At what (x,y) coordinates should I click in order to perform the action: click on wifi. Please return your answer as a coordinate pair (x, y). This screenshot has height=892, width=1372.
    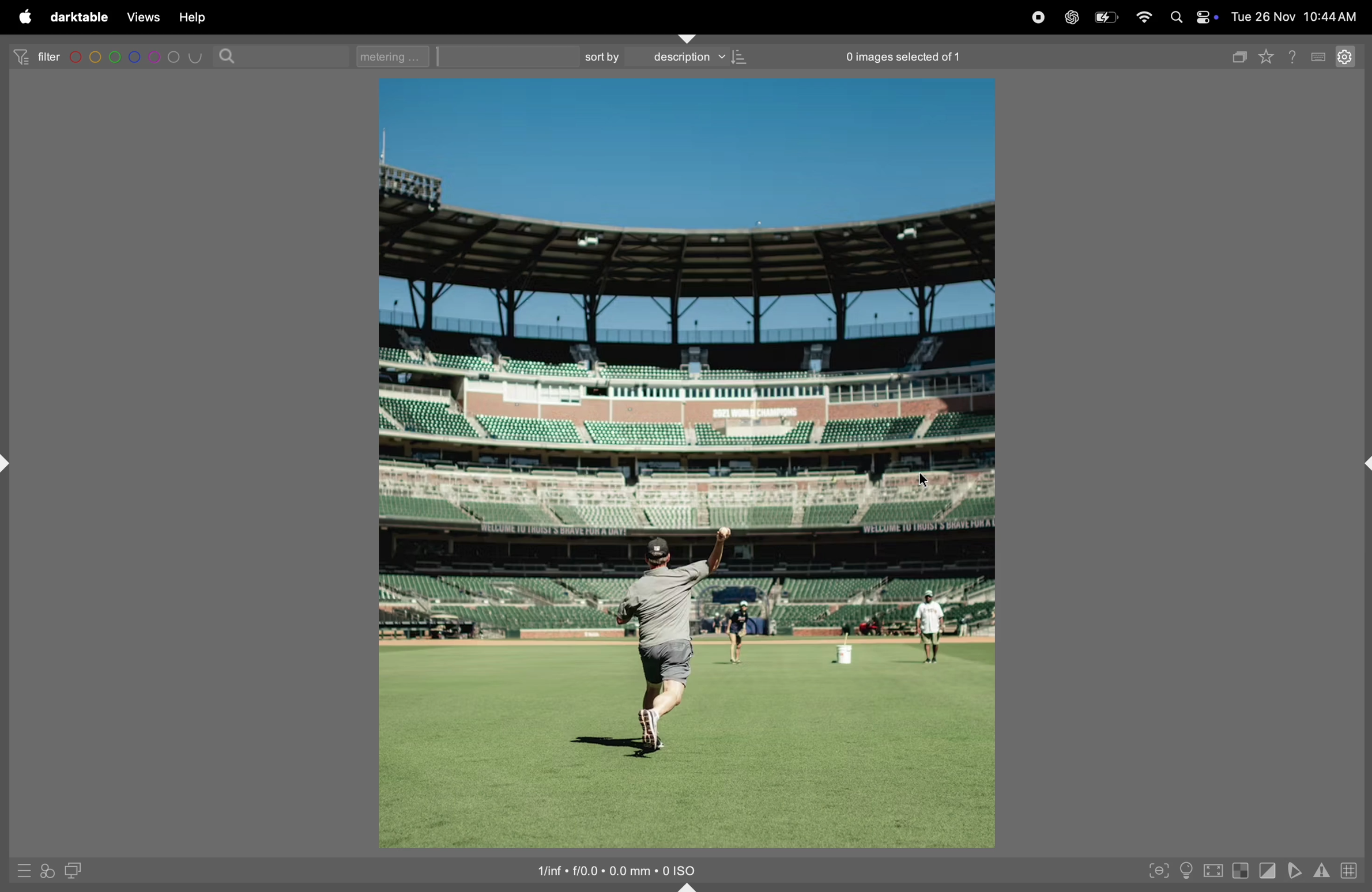
    Looking at the image, I should click on (1143, 18).